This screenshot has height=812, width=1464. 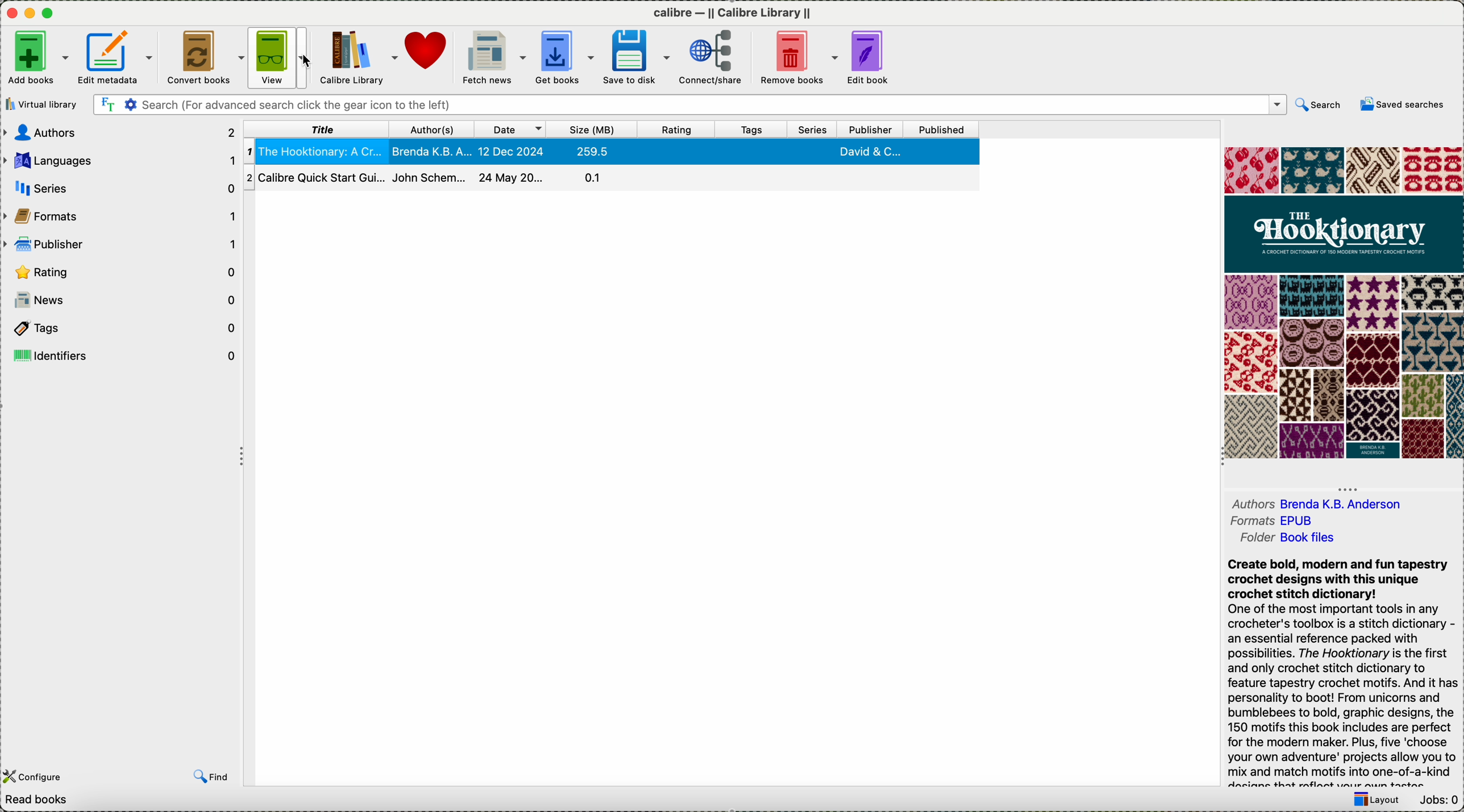 I want to click on data, so click(x=130, y=802).